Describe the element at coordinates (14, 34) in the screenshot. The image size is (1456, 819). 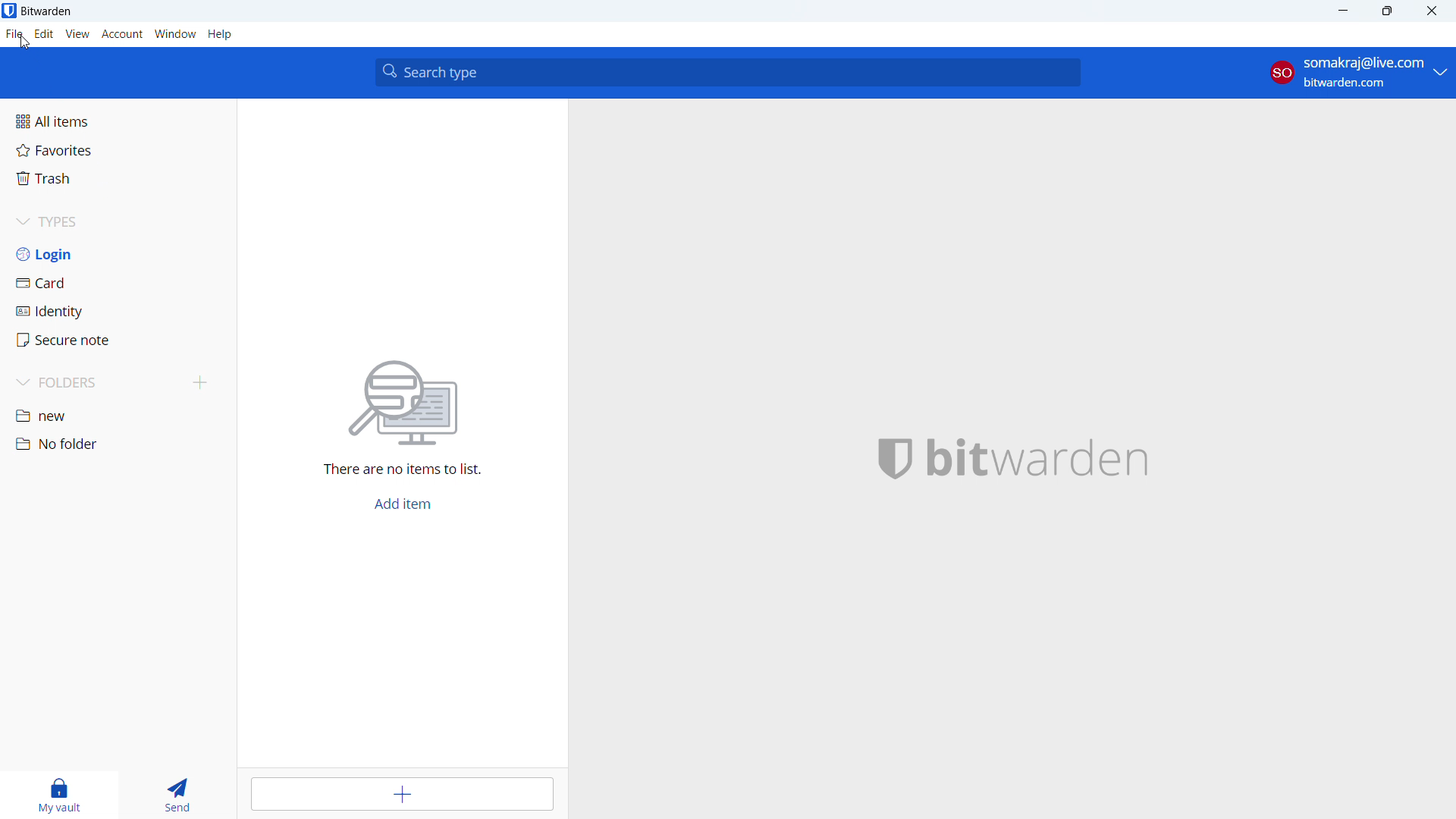
I see `file` at that location.